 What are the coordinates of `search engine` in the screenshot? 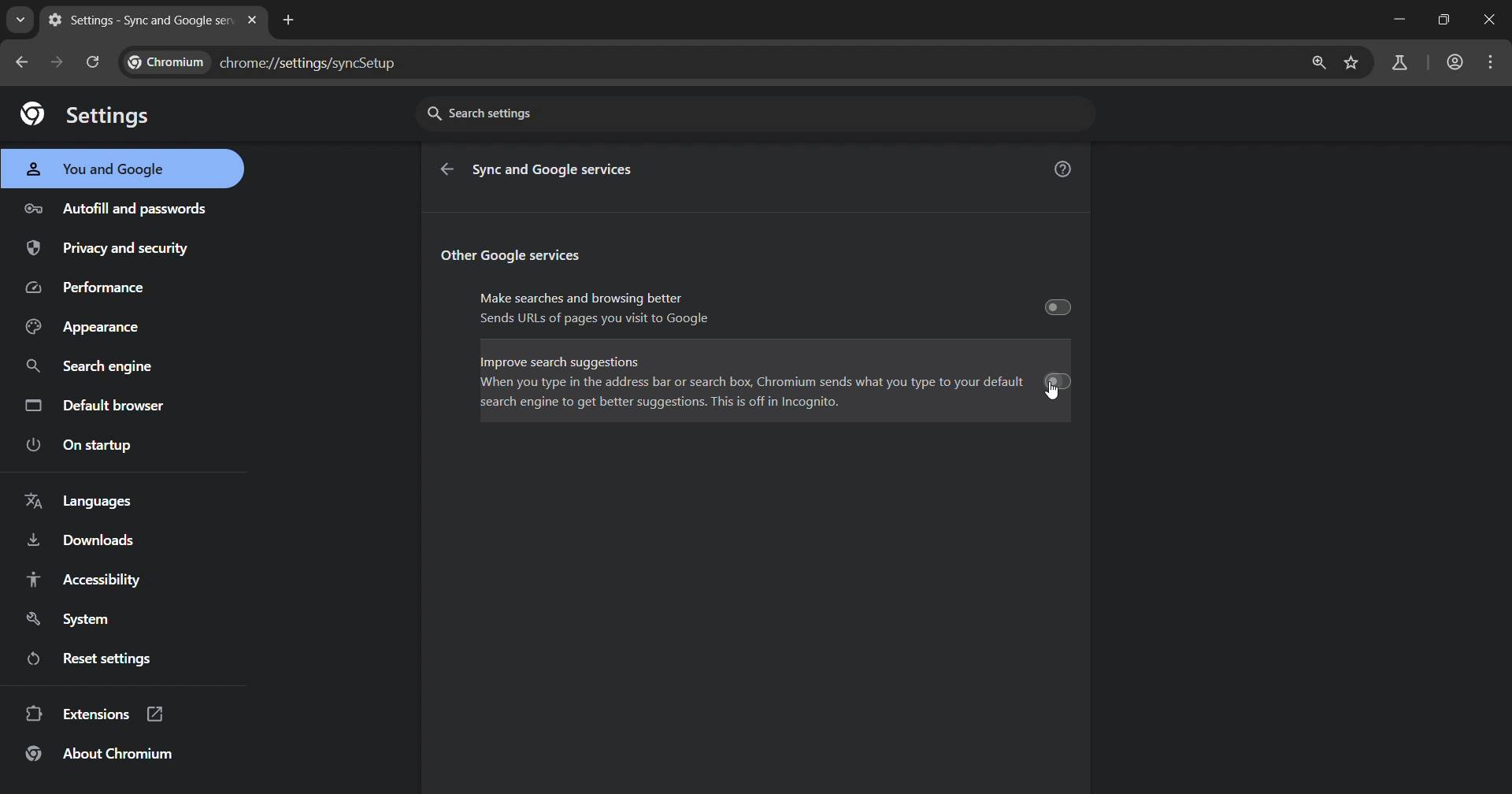 It's located at (89, 365).